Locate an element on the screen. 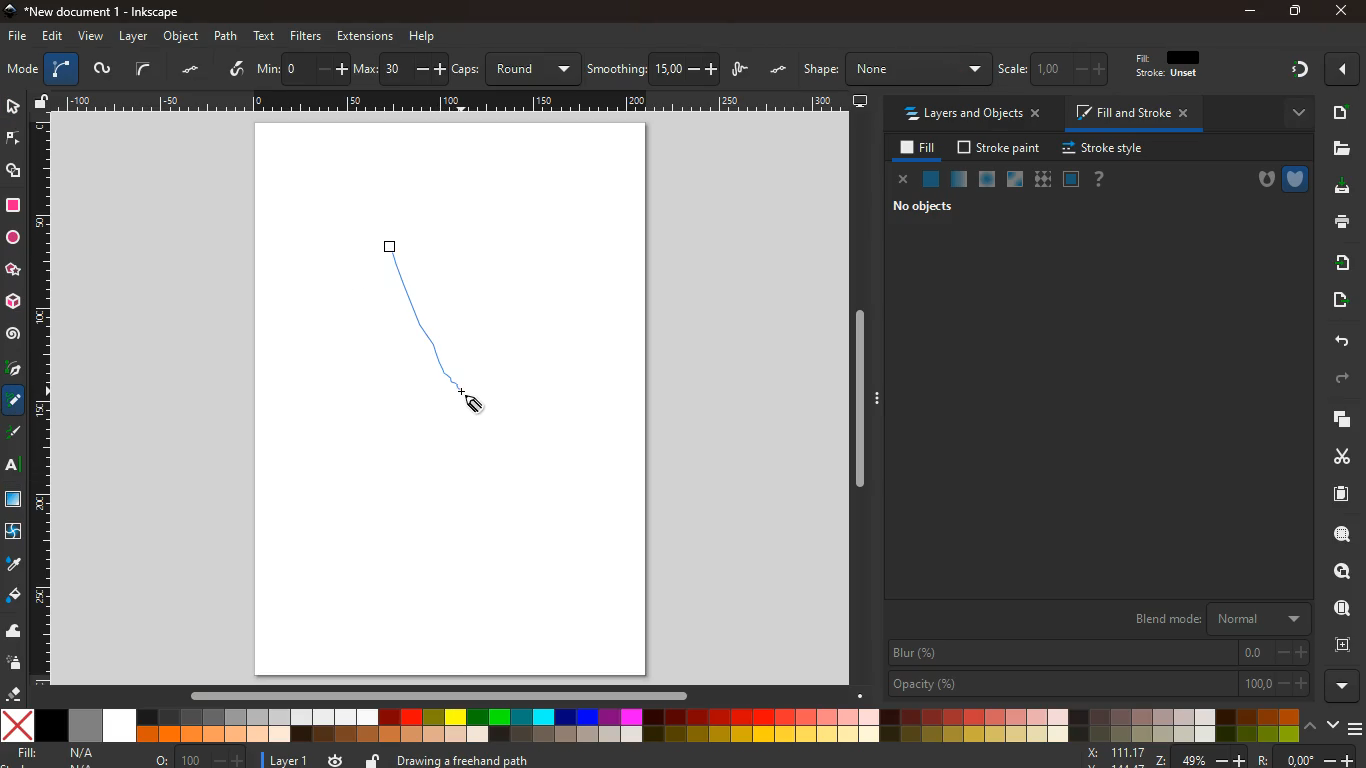 This screenshot has height=768, width=1366. spiral is located at coordinates (13, 334).